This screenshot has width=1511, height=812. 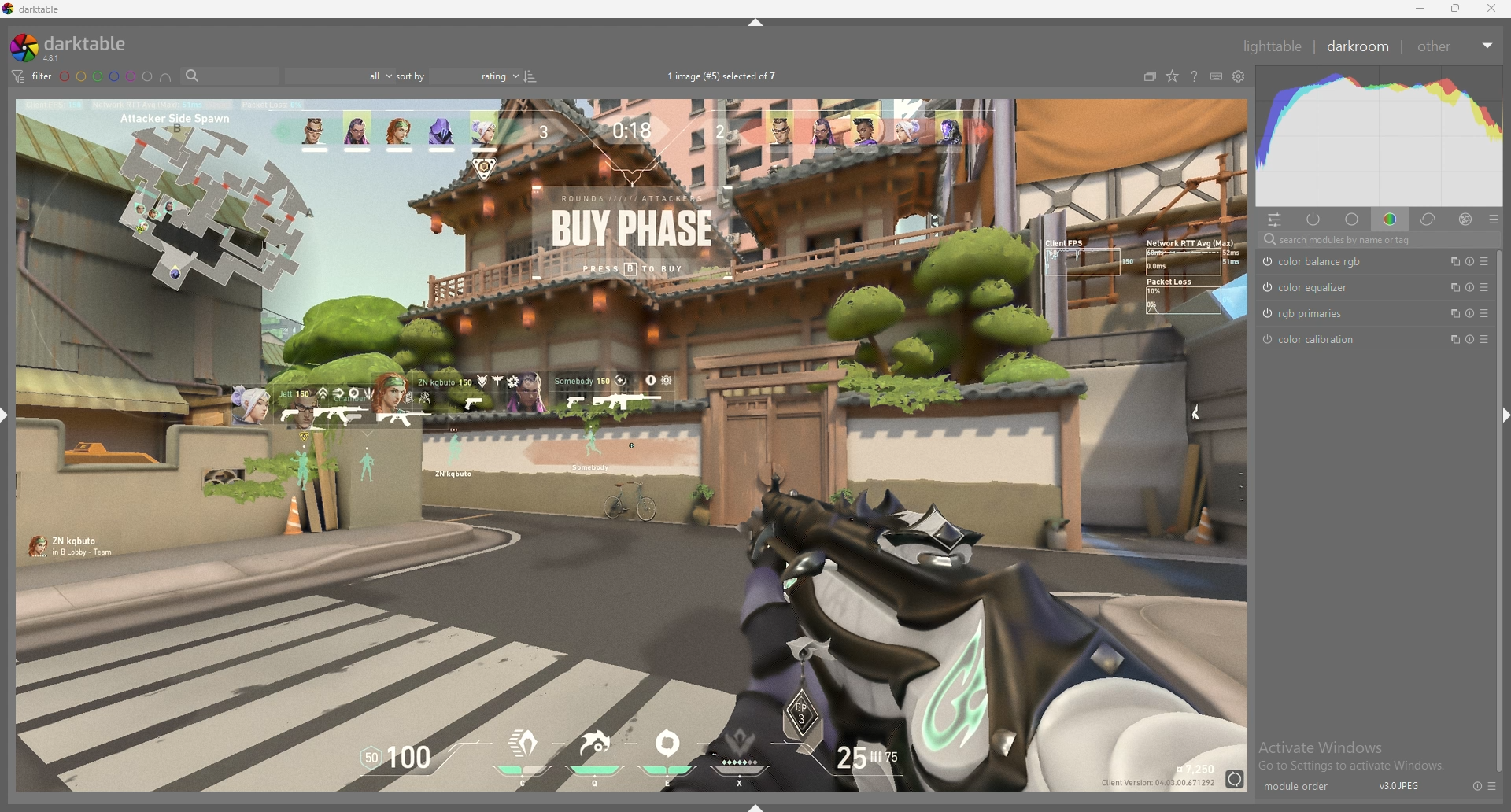 I want to click on rgb primaries, so click(x=1330, y=314).